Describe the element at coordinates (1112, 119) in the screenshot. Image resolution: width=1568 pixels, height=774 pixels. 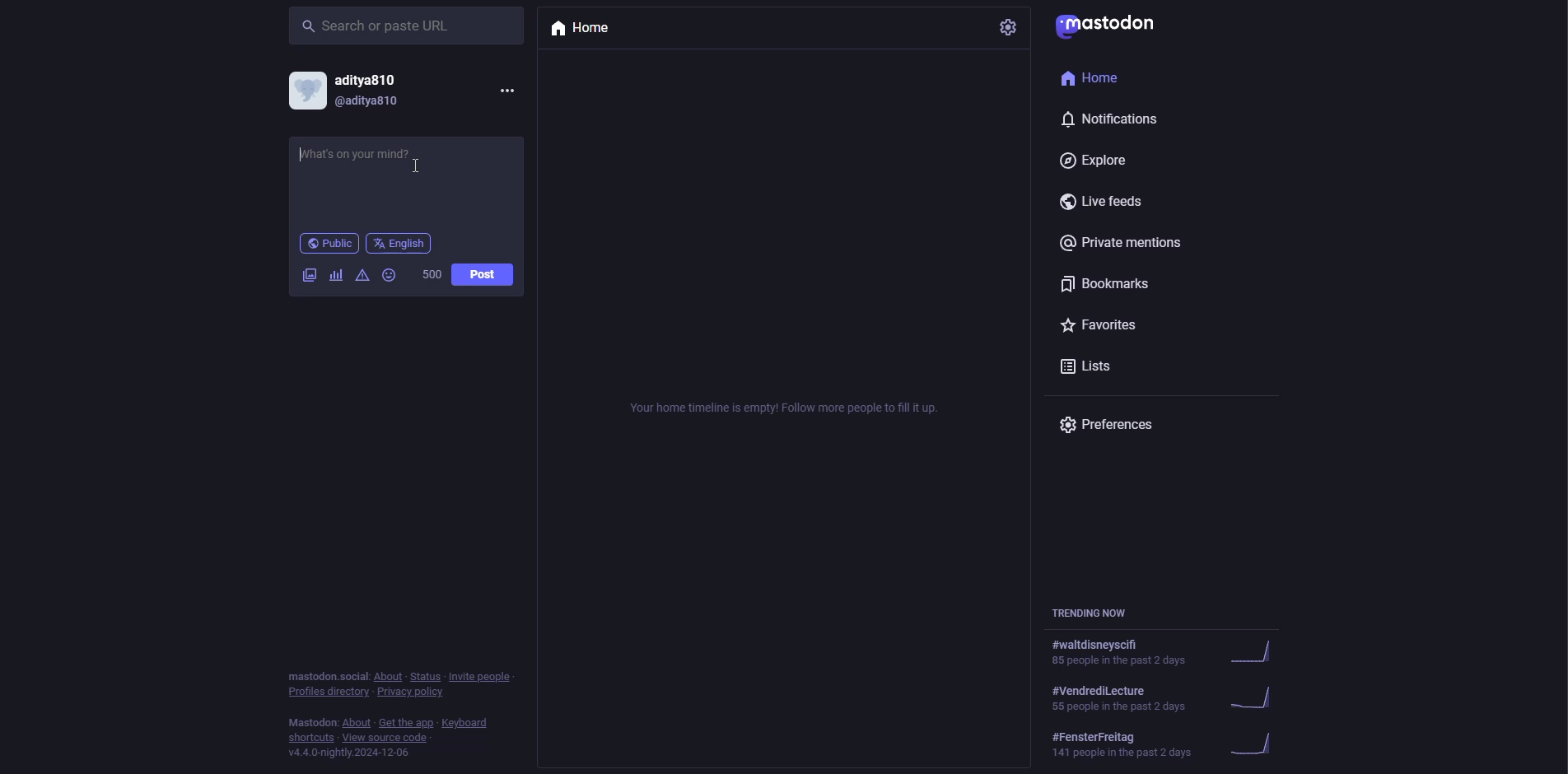
I see `notifications` at that location.